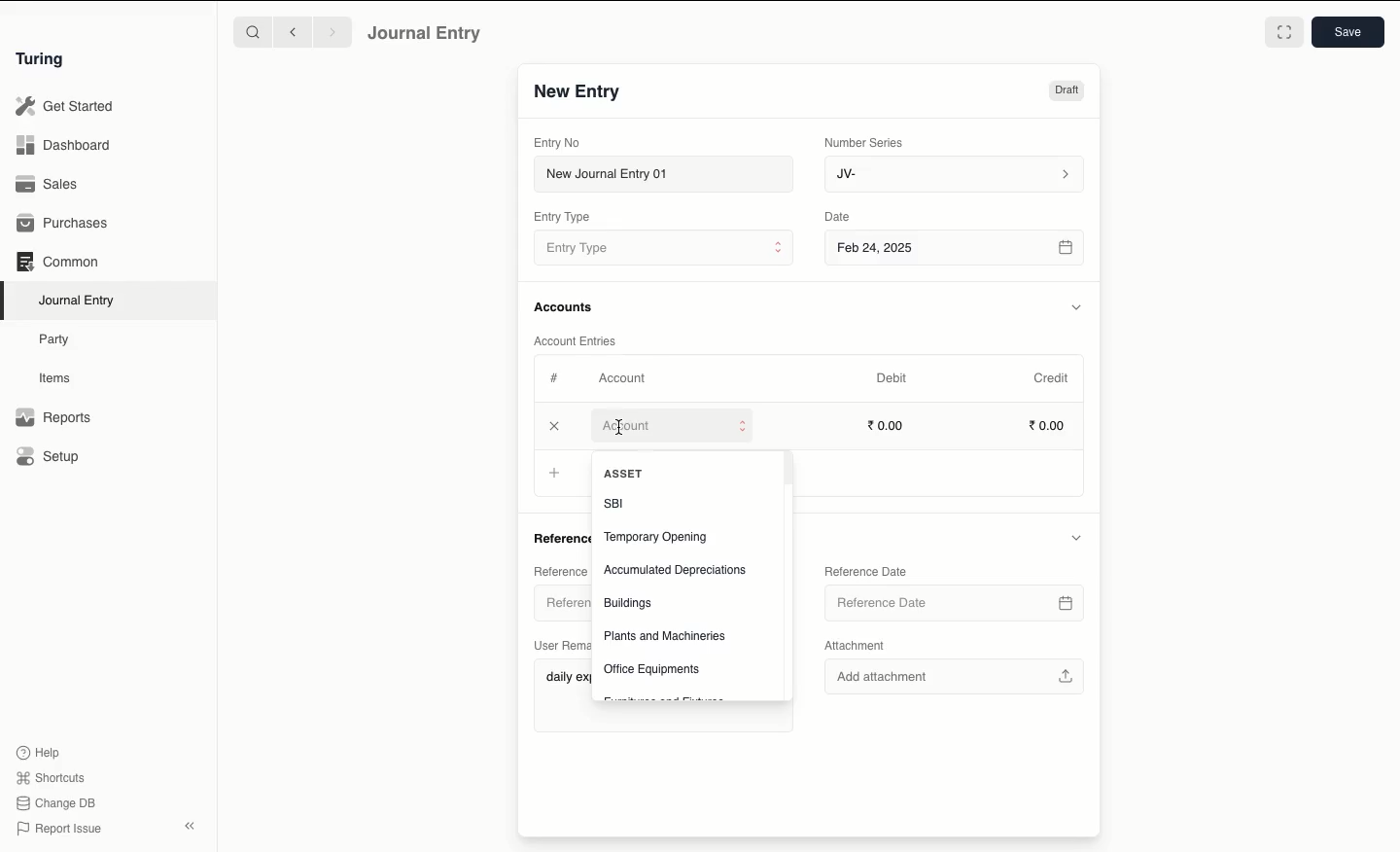 This screenshot has width=1400, height=852. What do you see at coordinates (887, 424) in the screenshot?
I see `0.00` at bounding box center [887, 424].